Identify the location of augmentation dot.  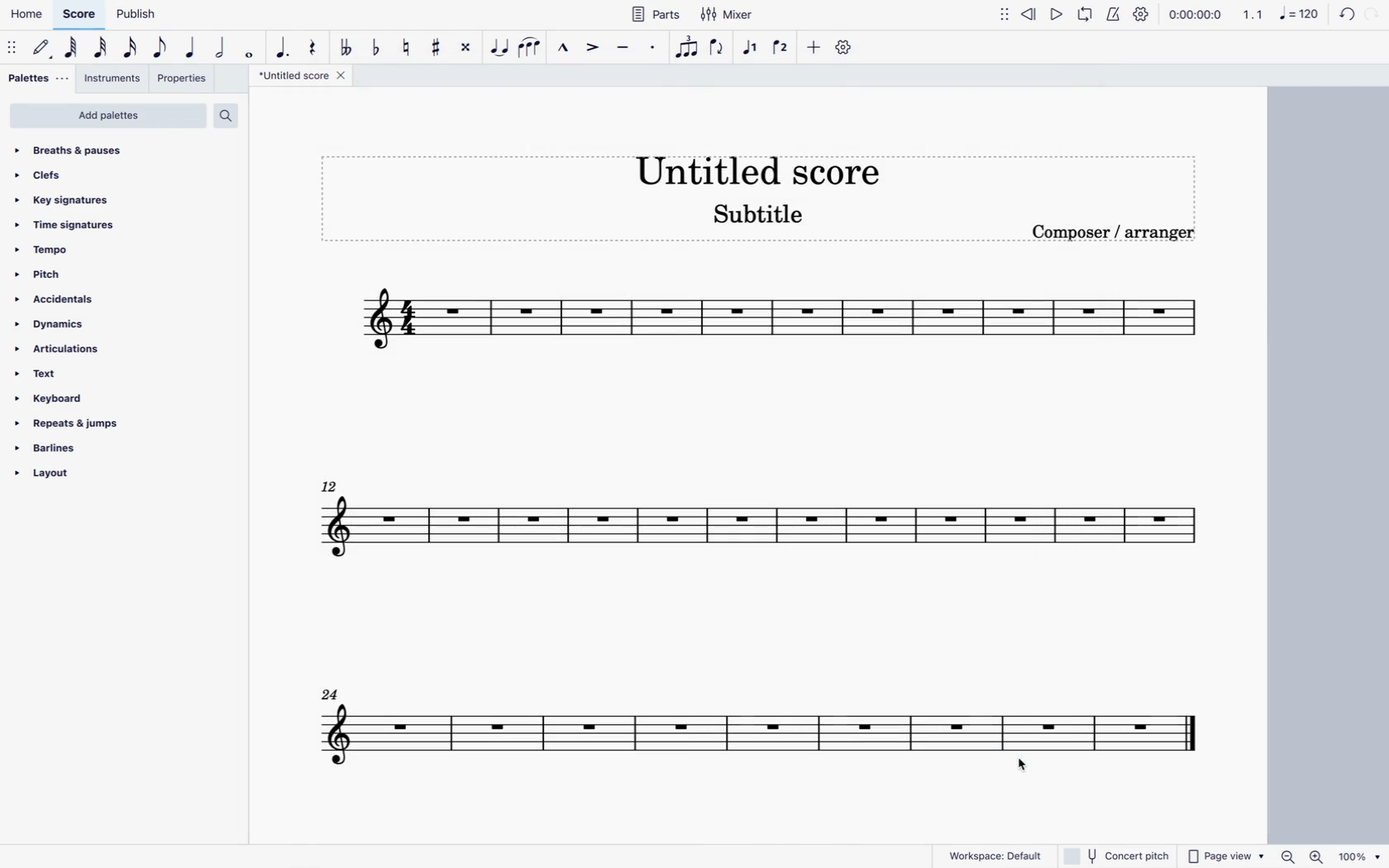
(283, 50).